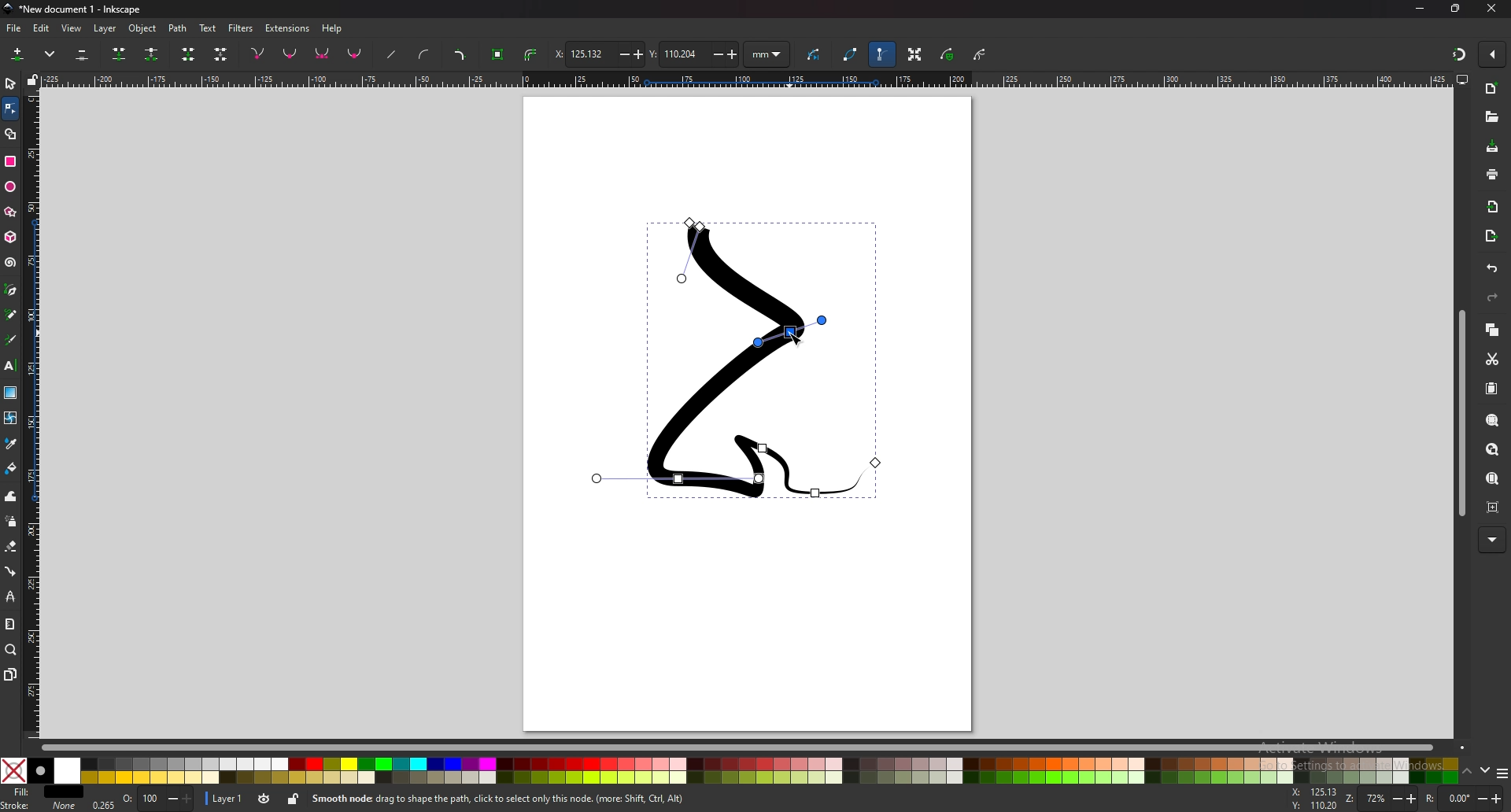 The image size is (1511, 812). I want to click on scroll bar, so click(738, 748).